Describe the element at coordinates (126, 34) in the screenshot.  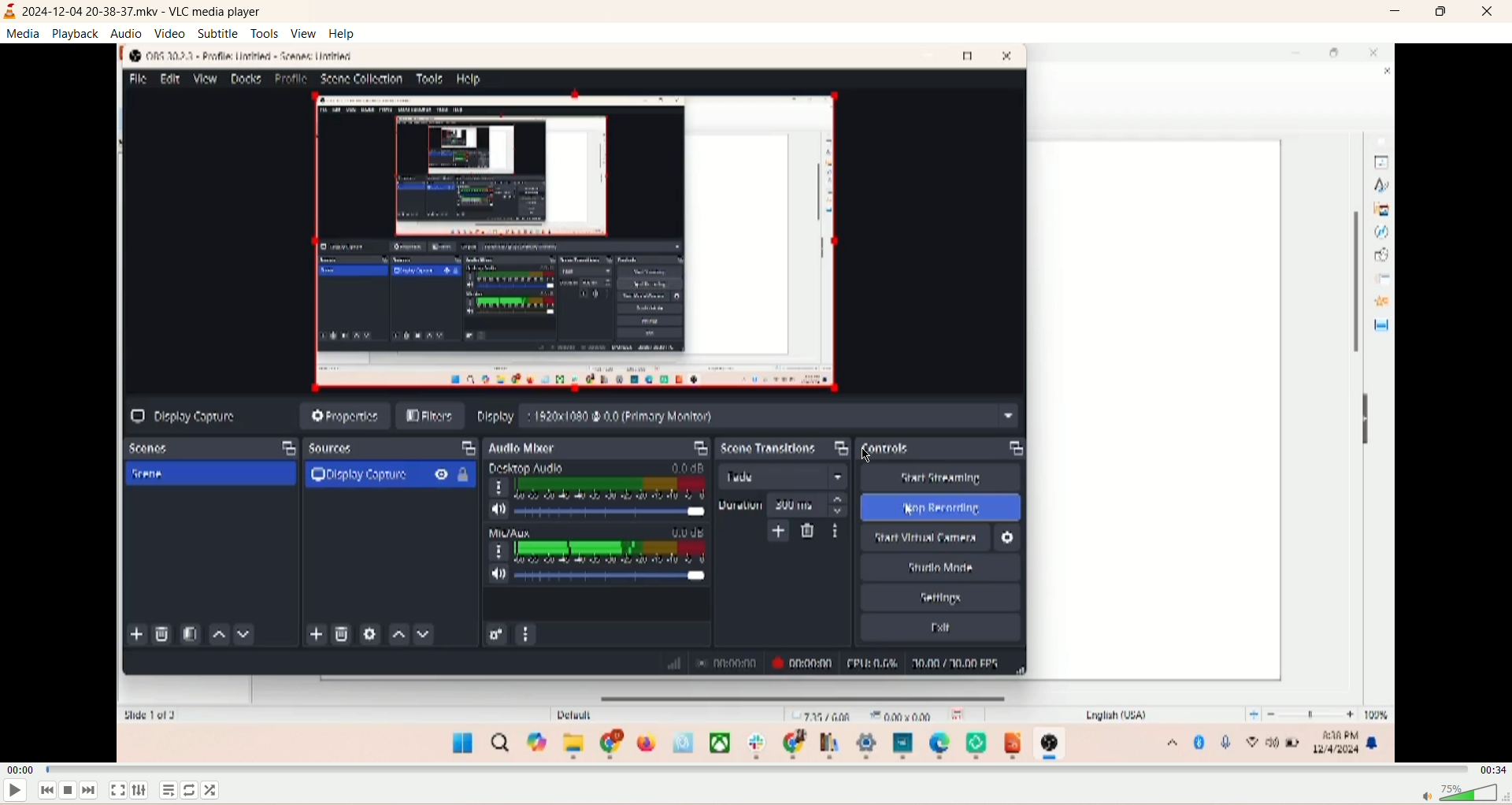
I see `audio` at that location.